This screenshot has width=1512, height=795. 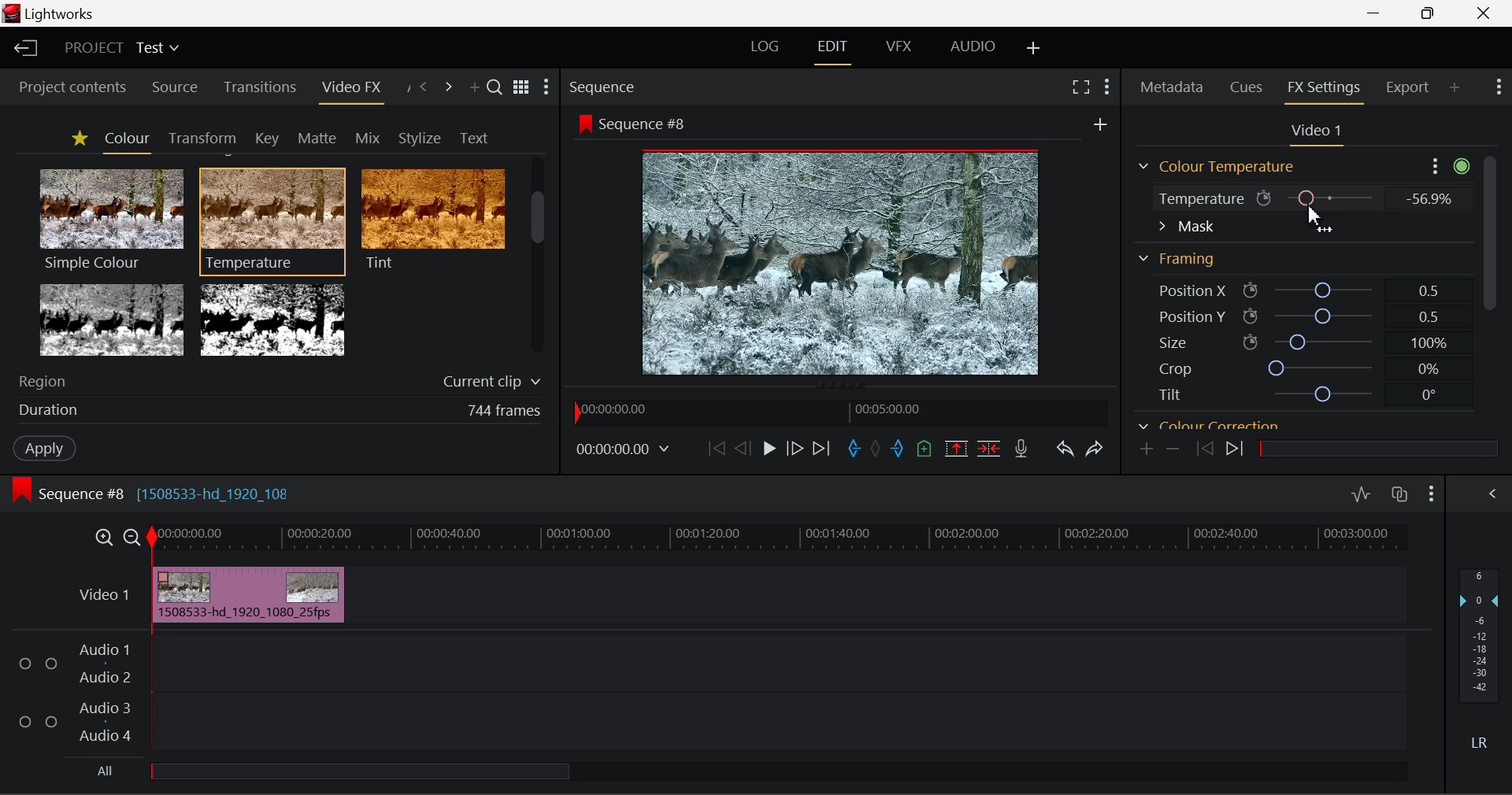 I want to click on Full Screen, so click(x=1079, y=90).